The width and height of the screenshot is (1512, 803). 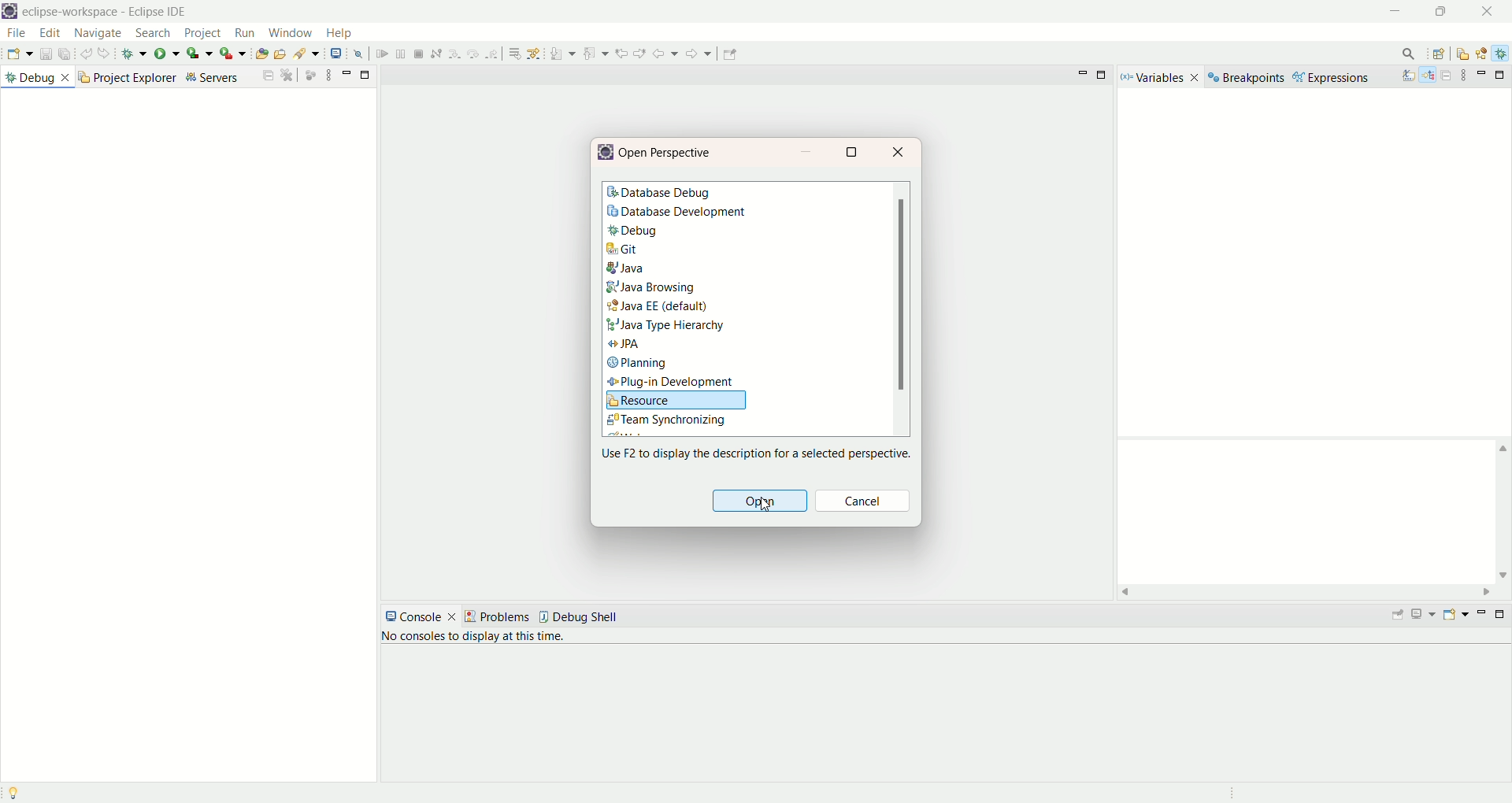 I want to click on use F2 to display the description for a selected perspective, so click(x=754, y=451).